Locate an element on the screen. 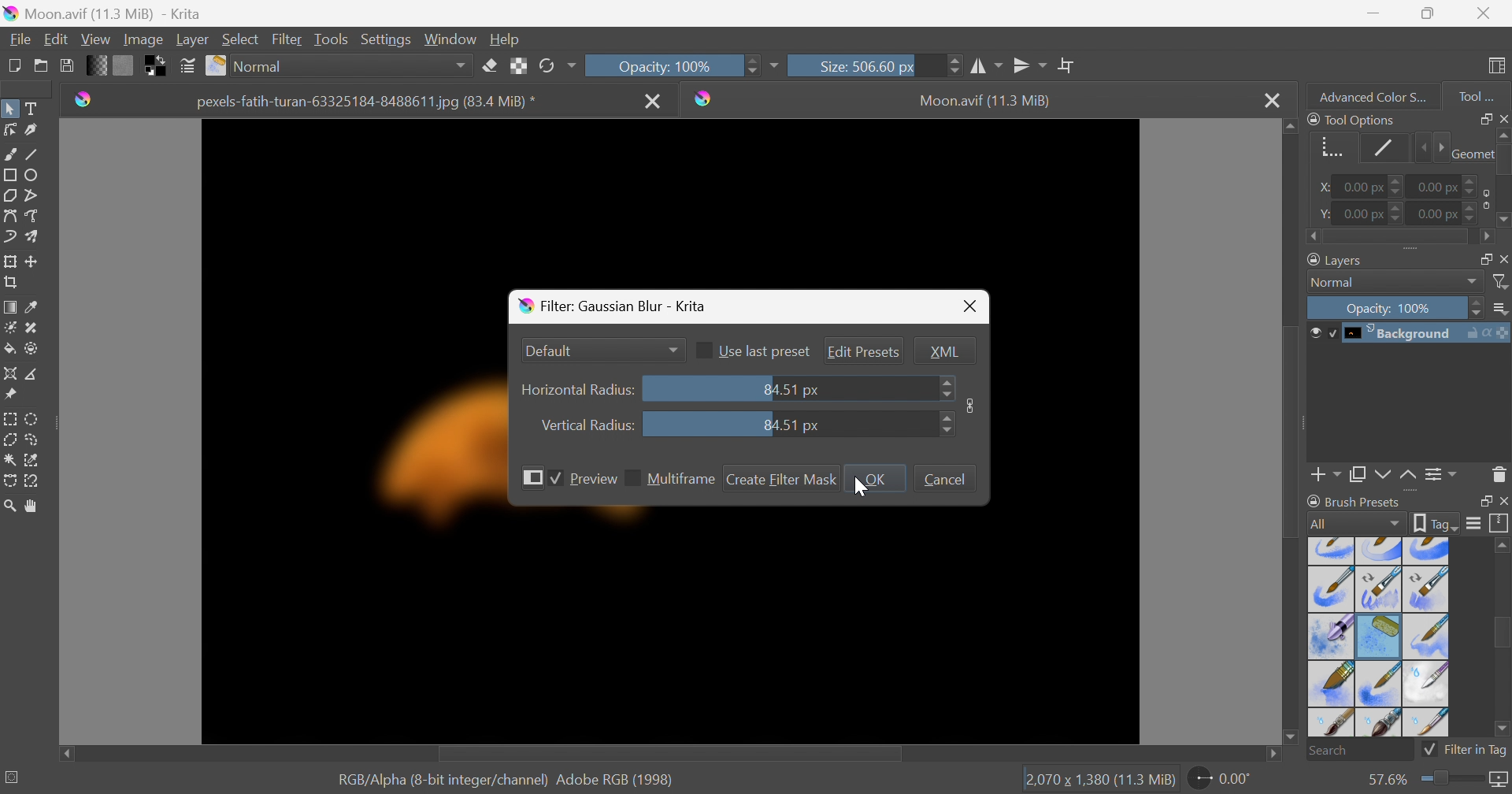 Image resolution: width=1512 pixels, height=794 pixels. Move a layer is located at coordinates (32, 259).